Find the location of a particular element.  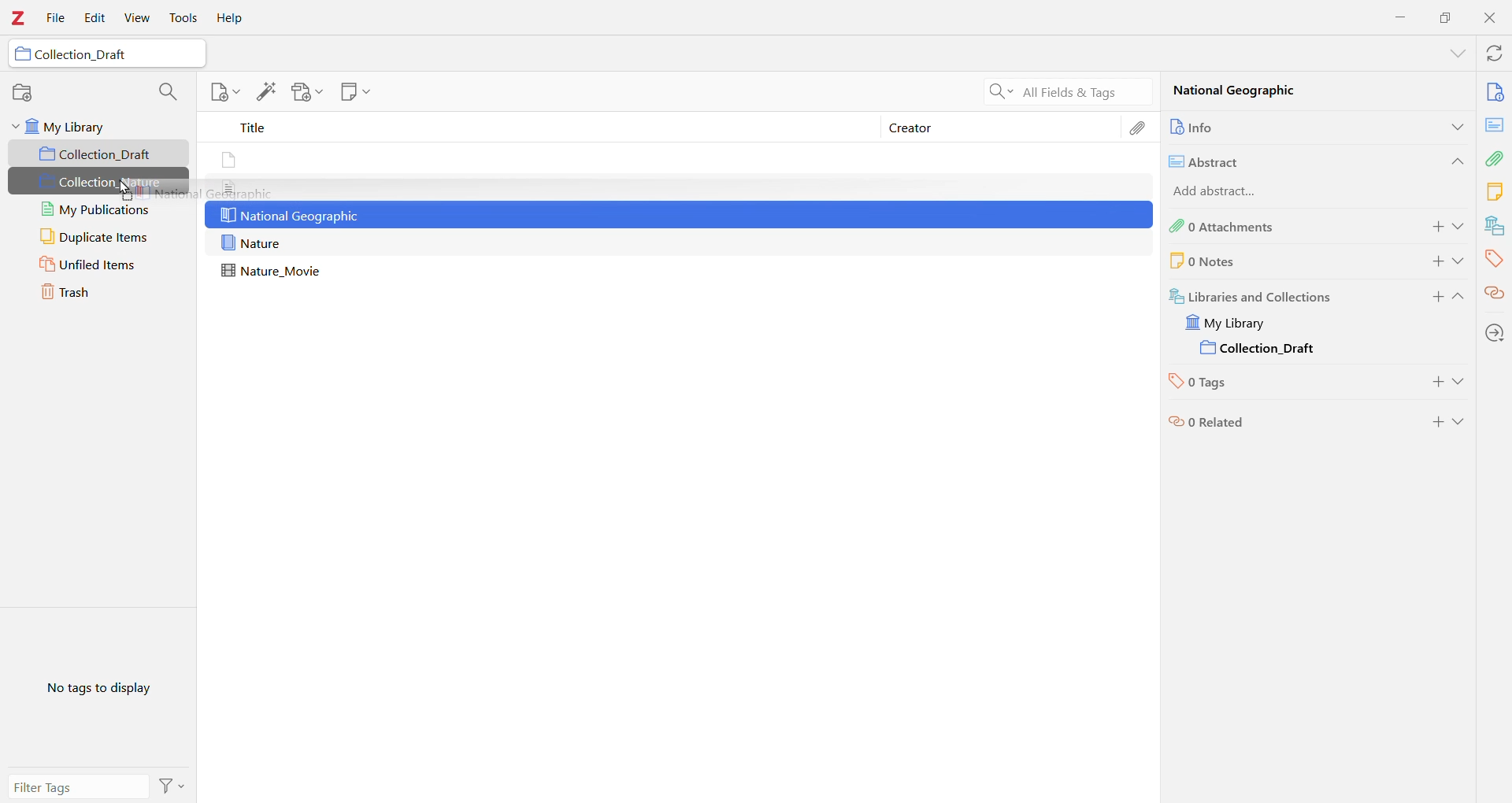

Close is located at coordinates (1490, 18).